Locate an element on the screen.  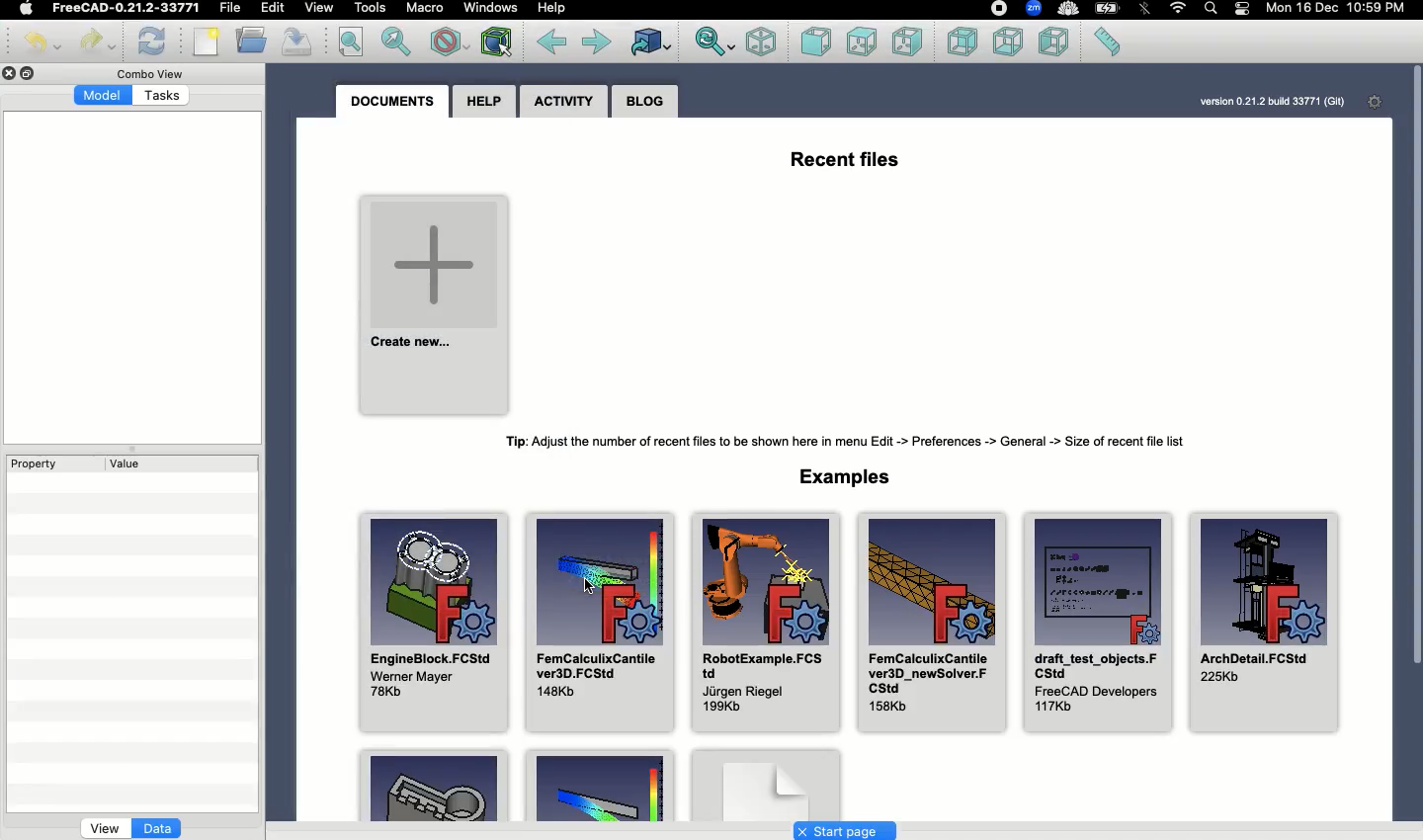
Property is located at coordinates (39, 467).